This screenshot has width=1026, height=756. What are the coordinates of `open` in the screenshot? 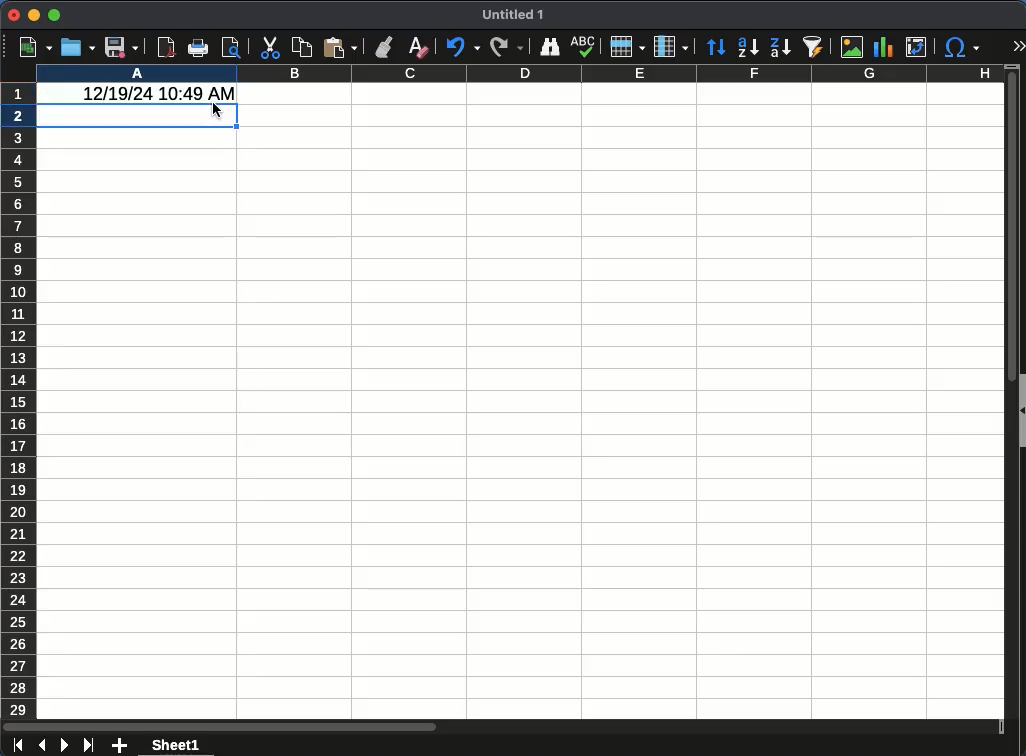 It's located at (78, 48).